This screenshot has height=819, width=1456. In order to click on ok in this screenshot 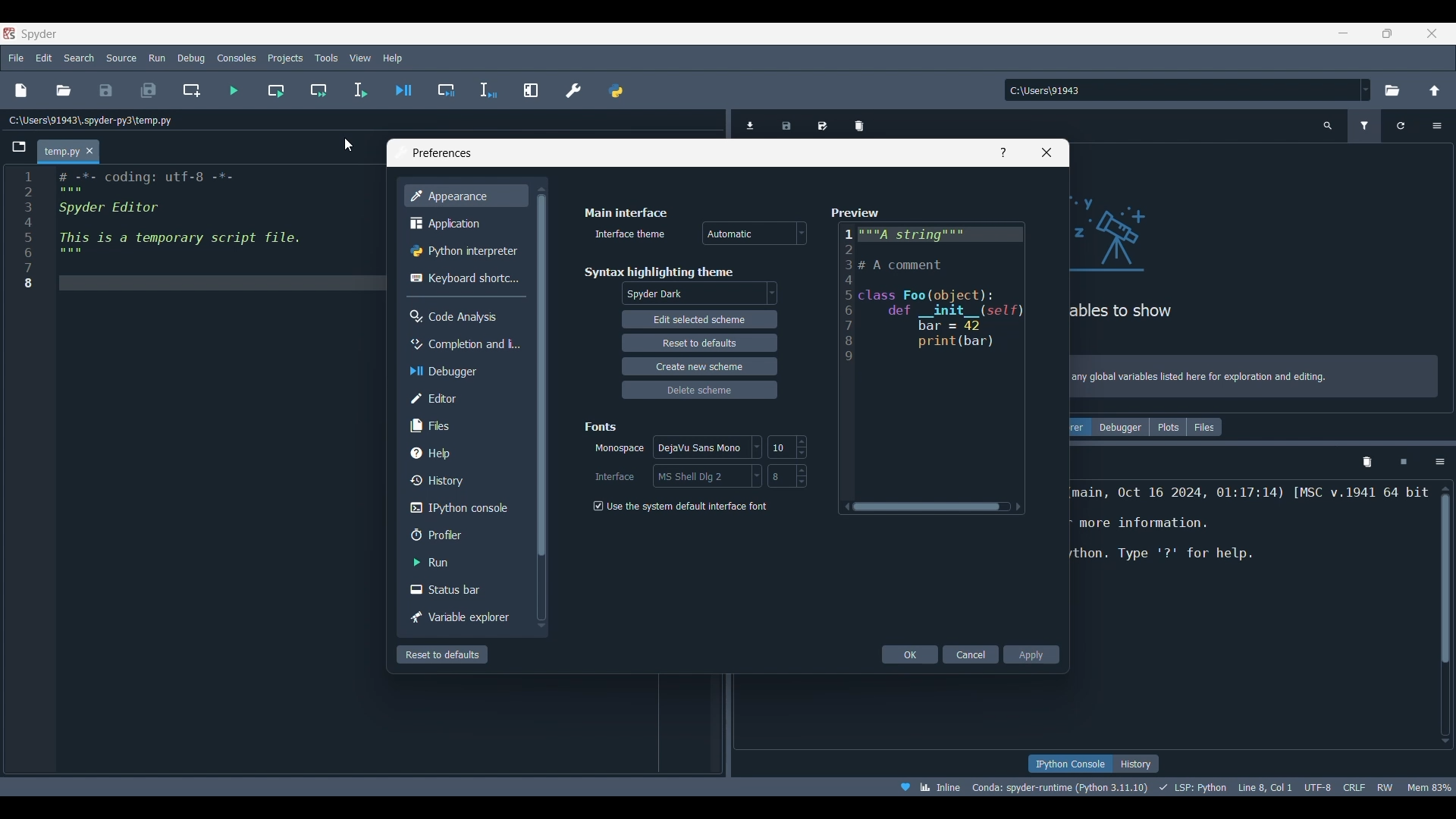, I will do `click(907, 654)`.